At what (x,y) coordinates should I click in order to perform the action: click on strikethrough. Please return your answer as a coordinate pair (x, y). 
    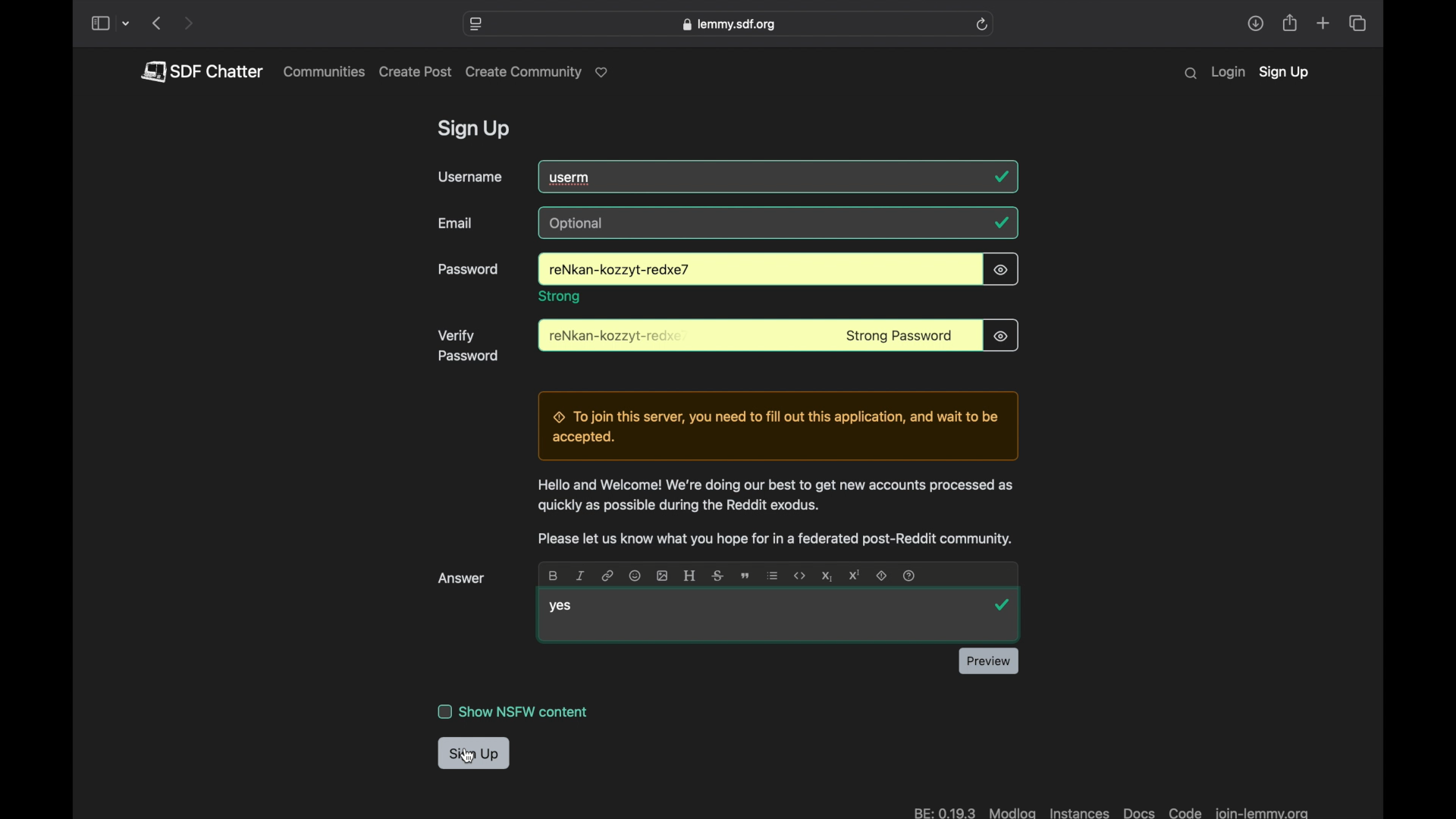
    Looking at the image, I should click on (716, 576).